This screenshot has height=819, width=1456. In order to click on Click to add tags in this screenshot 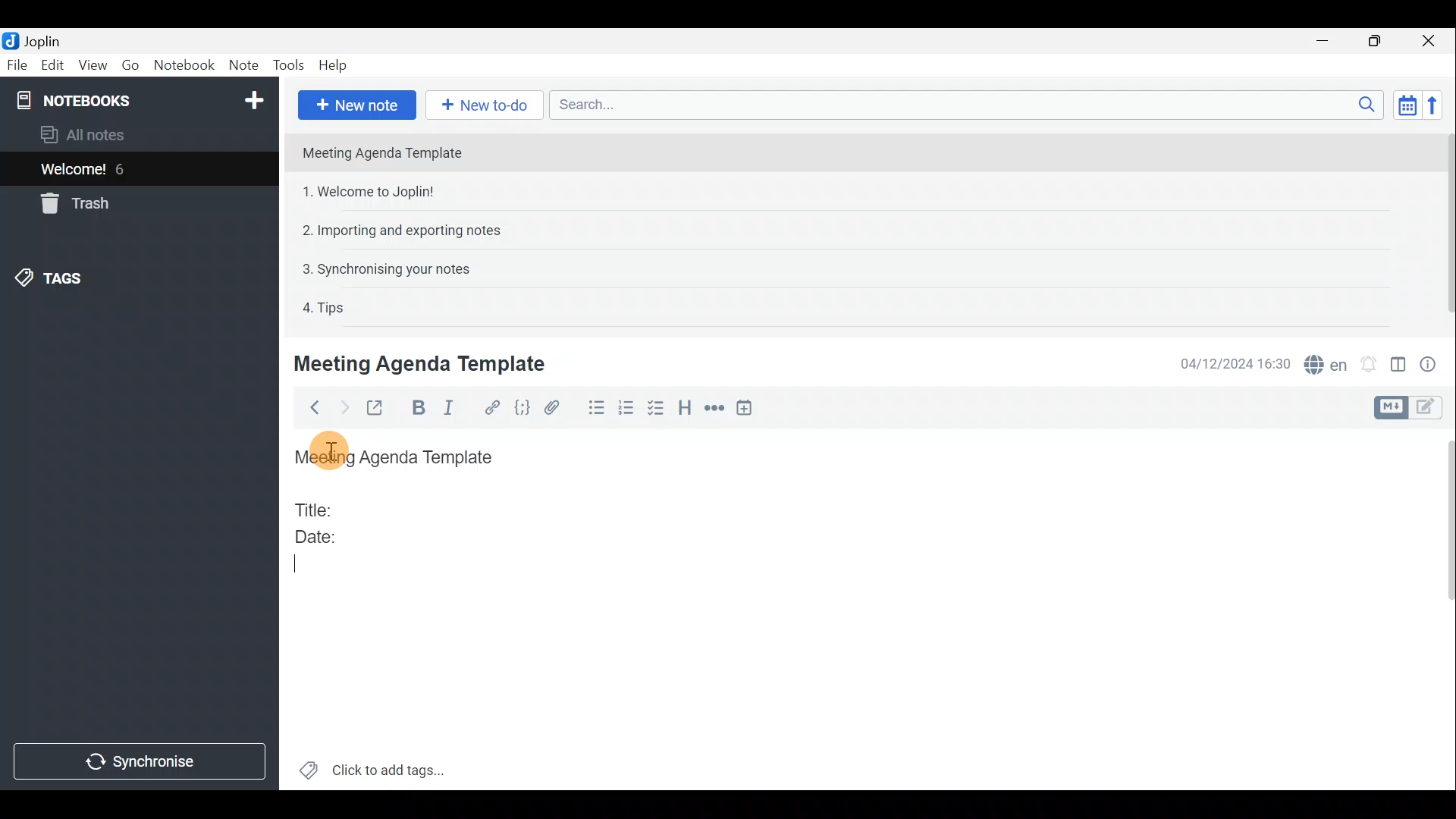, I will do `click(393, 767)`.